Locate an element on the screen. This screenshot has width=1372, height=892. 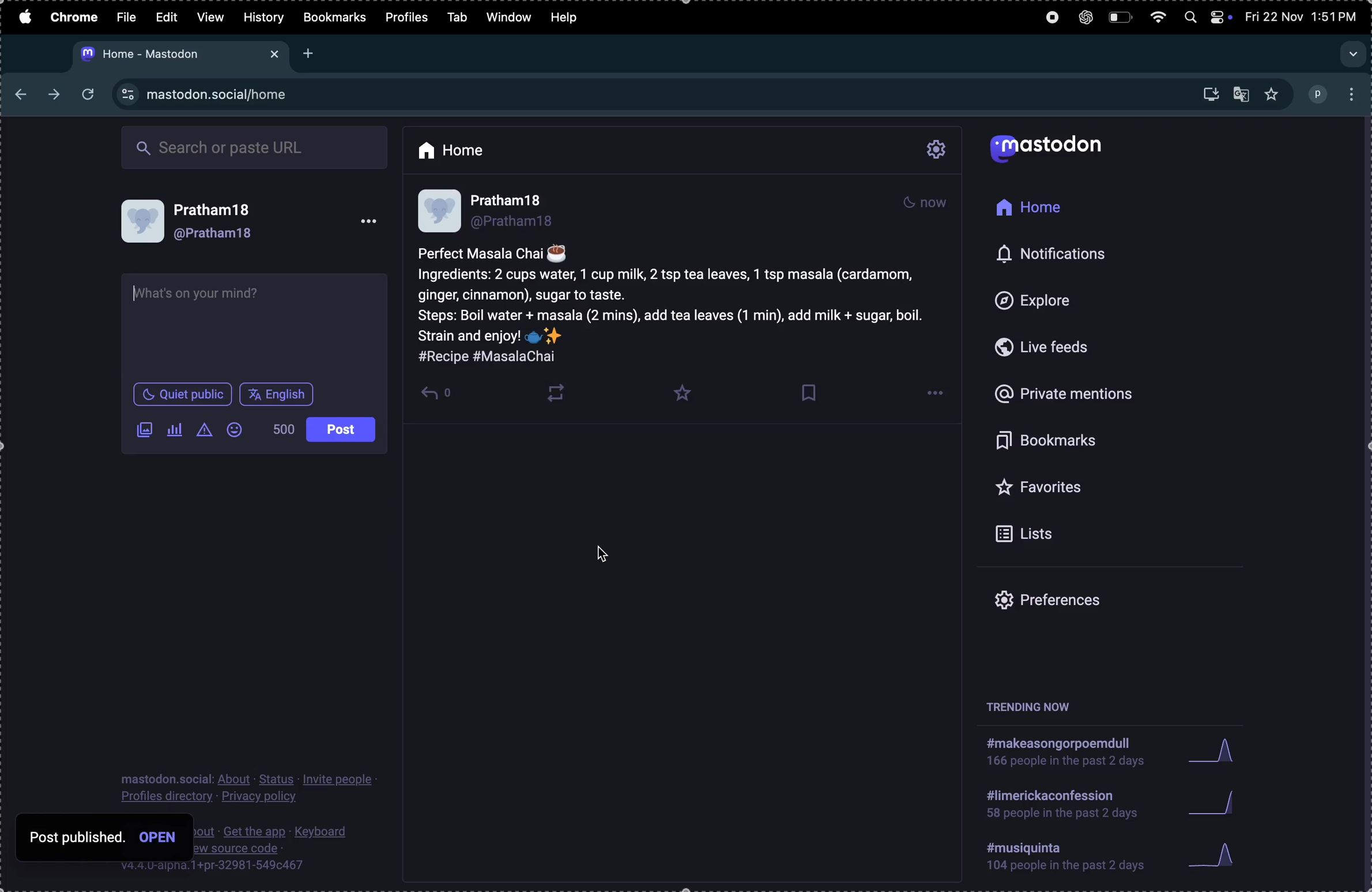
hashtag is located at coordinates (1066, 806).